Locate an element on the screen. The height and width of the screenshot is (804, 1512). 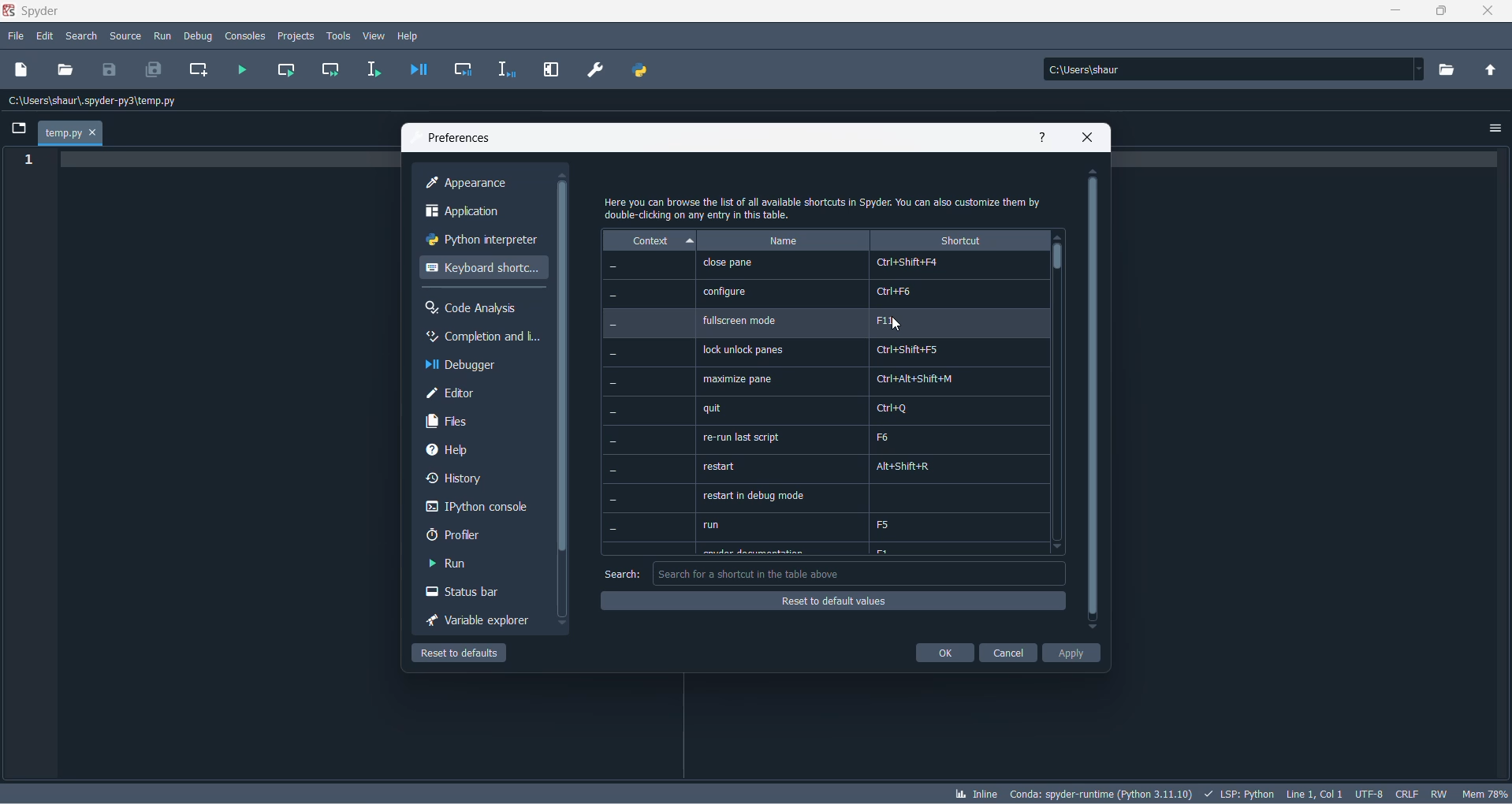
debug is located at coordinates (198, 34).